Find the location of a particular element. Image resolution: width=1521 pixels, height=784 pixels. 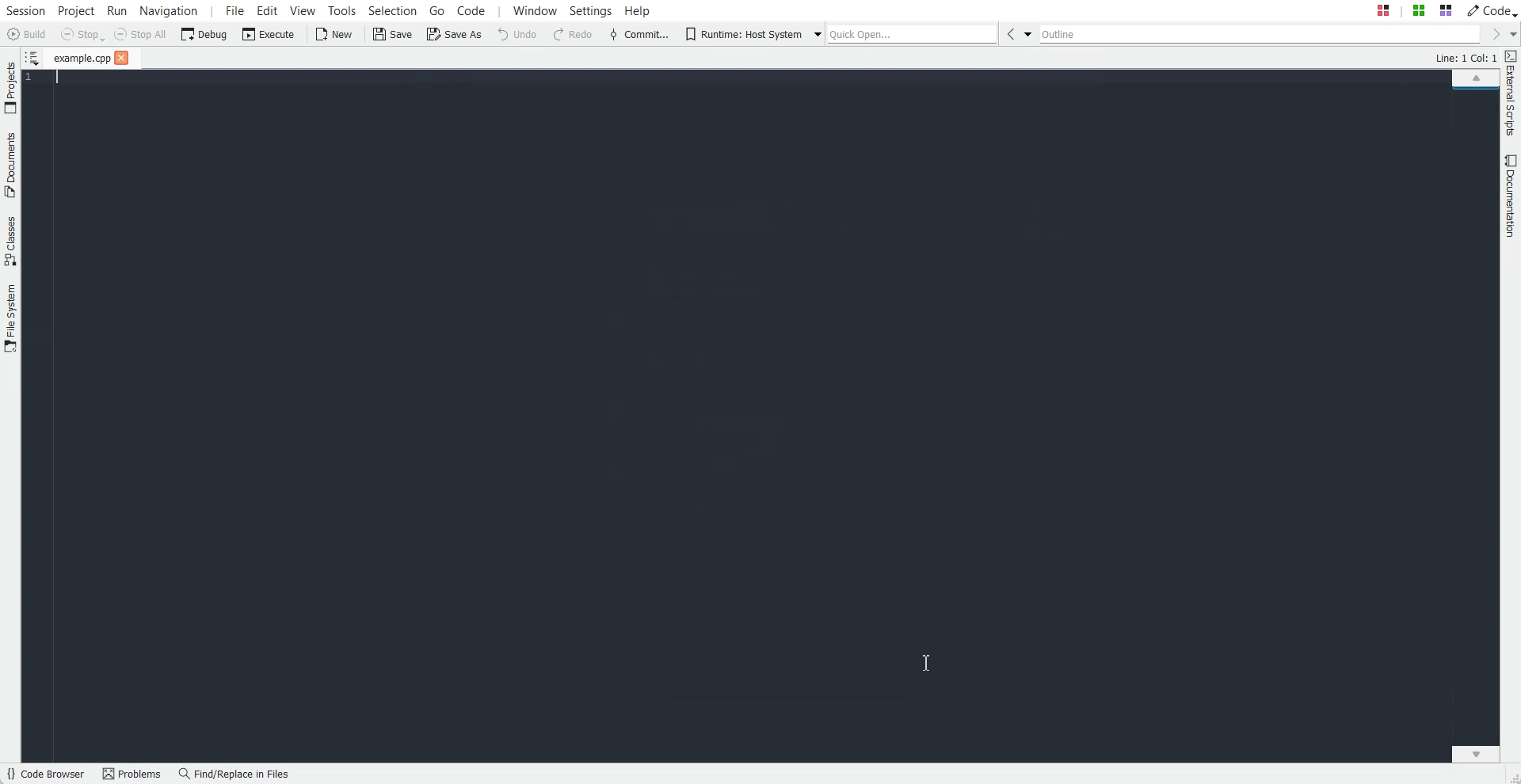

Redo is located at coordinates (574, 35).